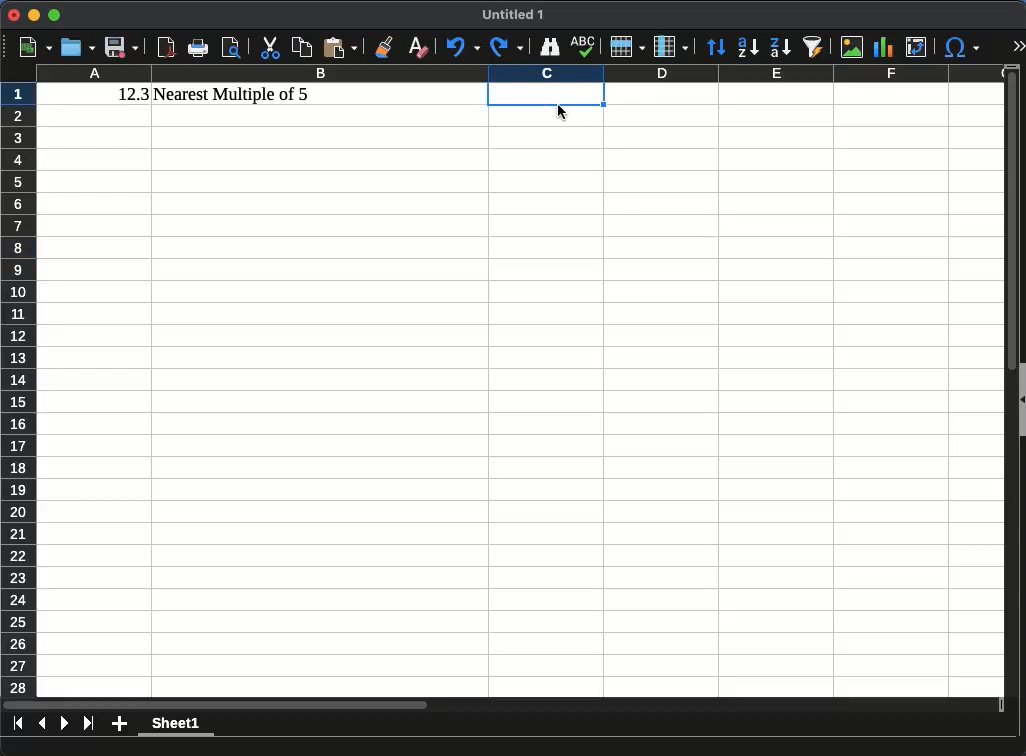  I want to click on image, so click(850, 47).